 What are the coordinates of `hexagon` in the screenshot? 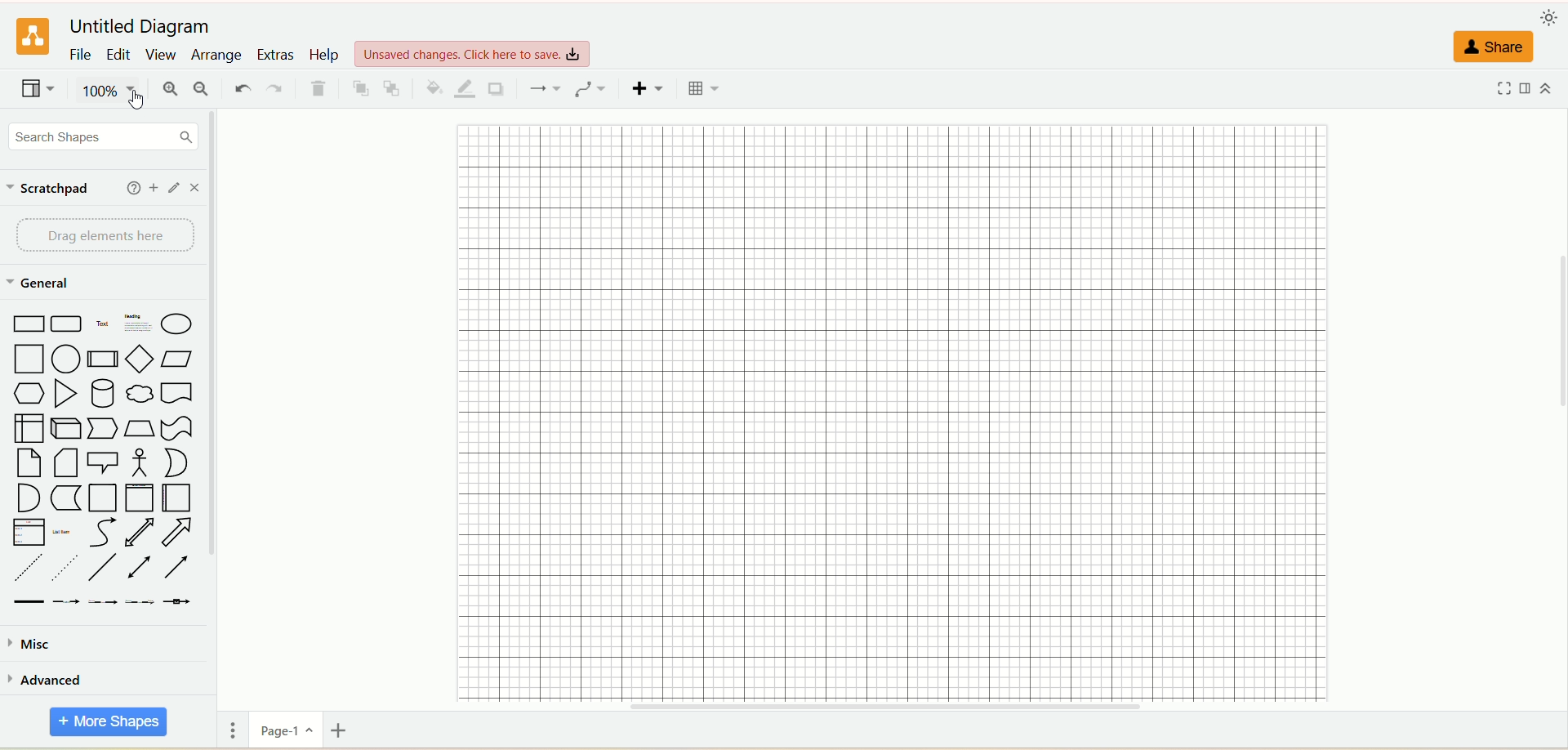 It's located at (29, 393).